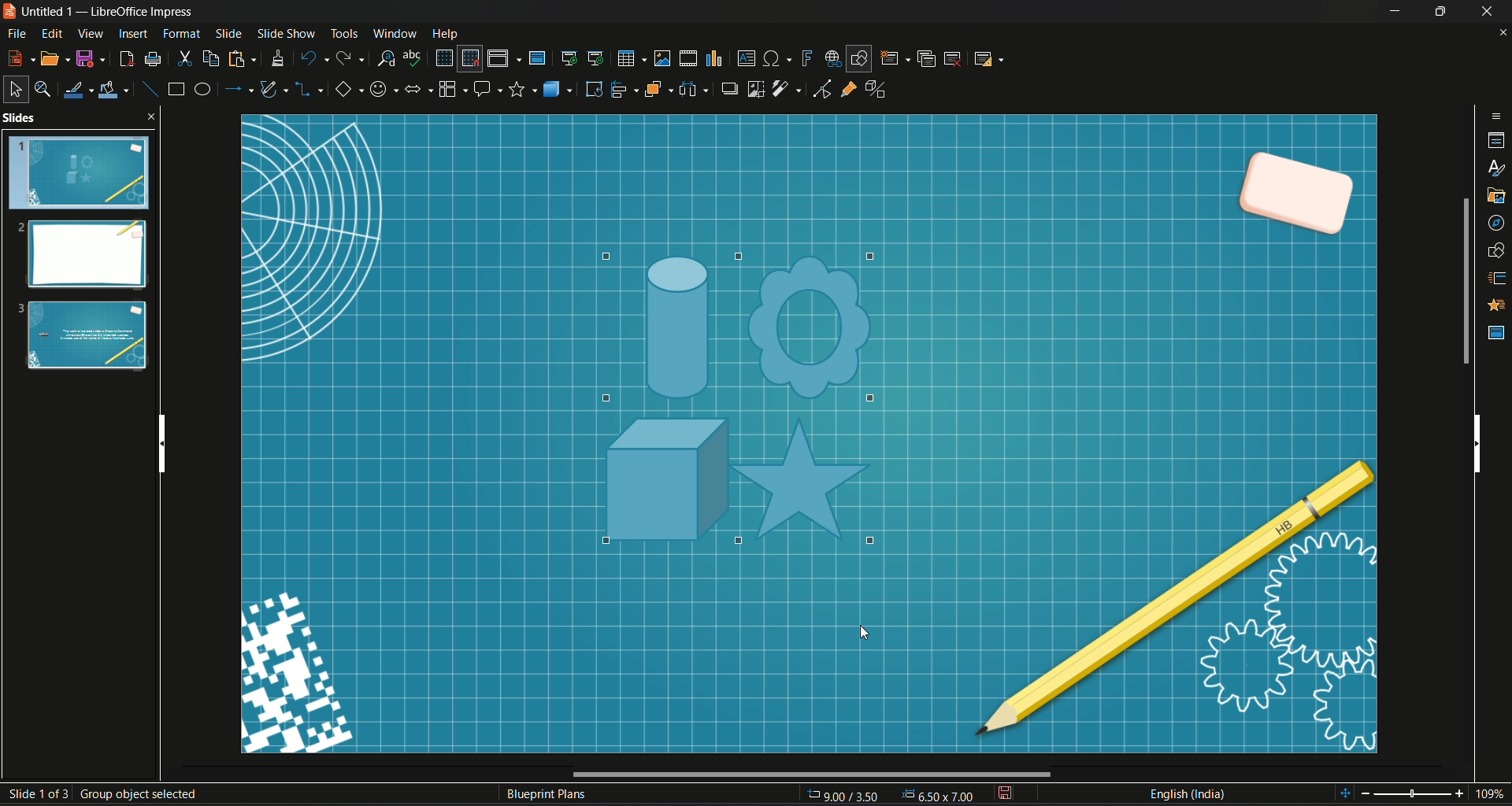 This screenshot has width=1512, height=806. I want to click on Horizontal Scroll, so click(809, 775).